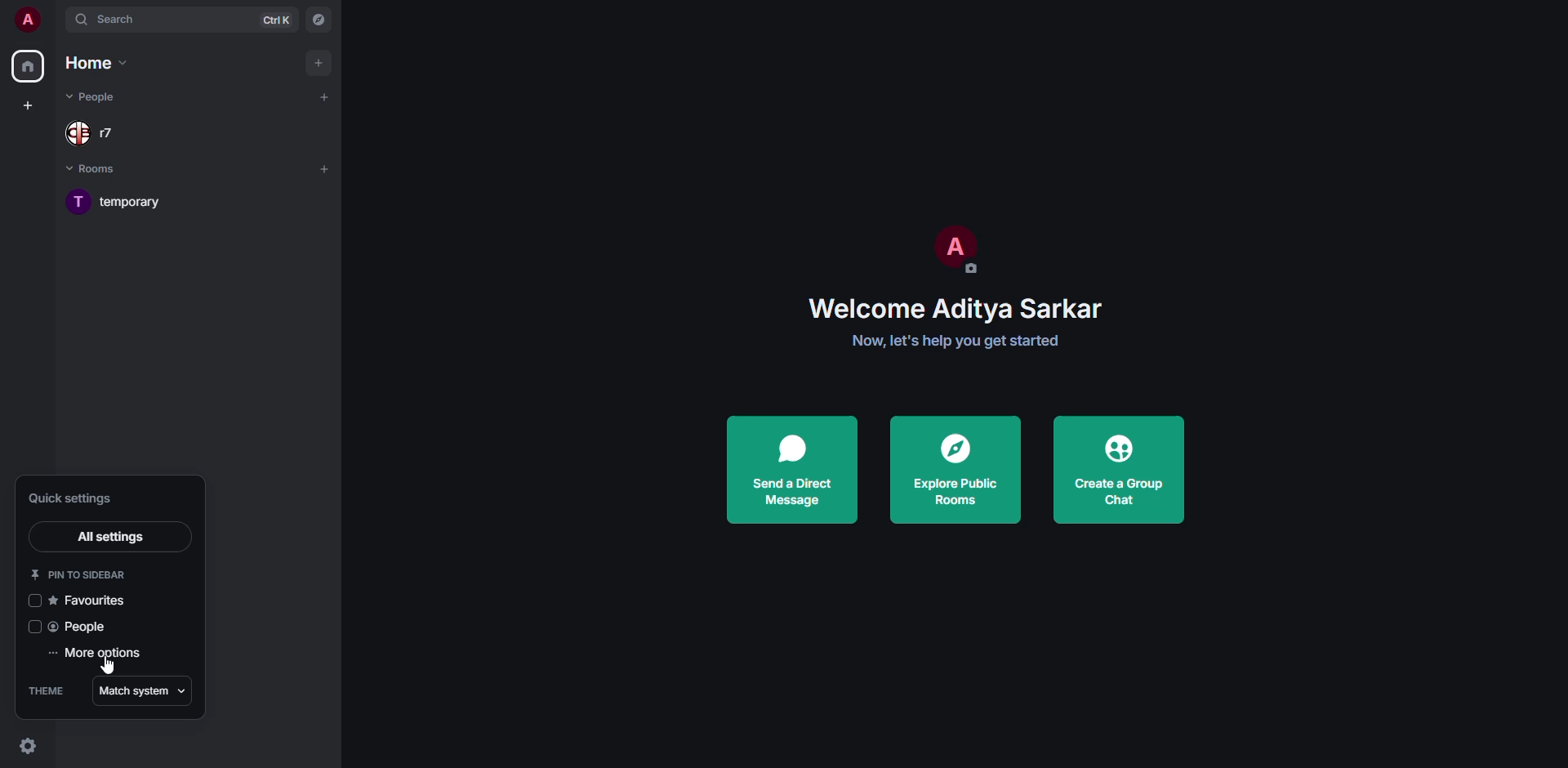  What do you see at coordinates (69, 498) in the screenshot?
I see `quick settings` at bounding box center [69, 498].